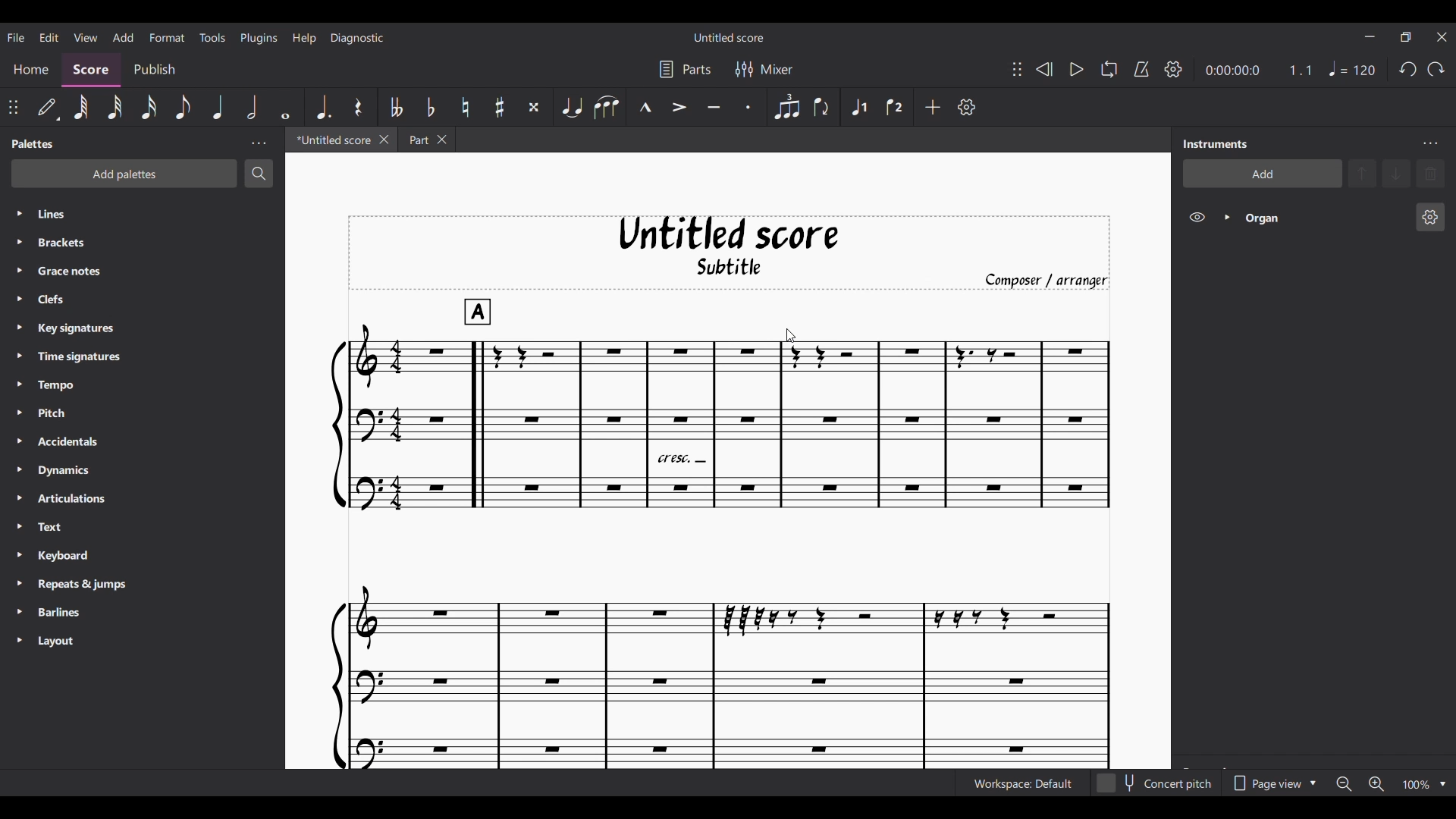  Describe the element at coordinates (730, 253) in the screenshot. I see `Score title, sub-title, and composer name` at that location.